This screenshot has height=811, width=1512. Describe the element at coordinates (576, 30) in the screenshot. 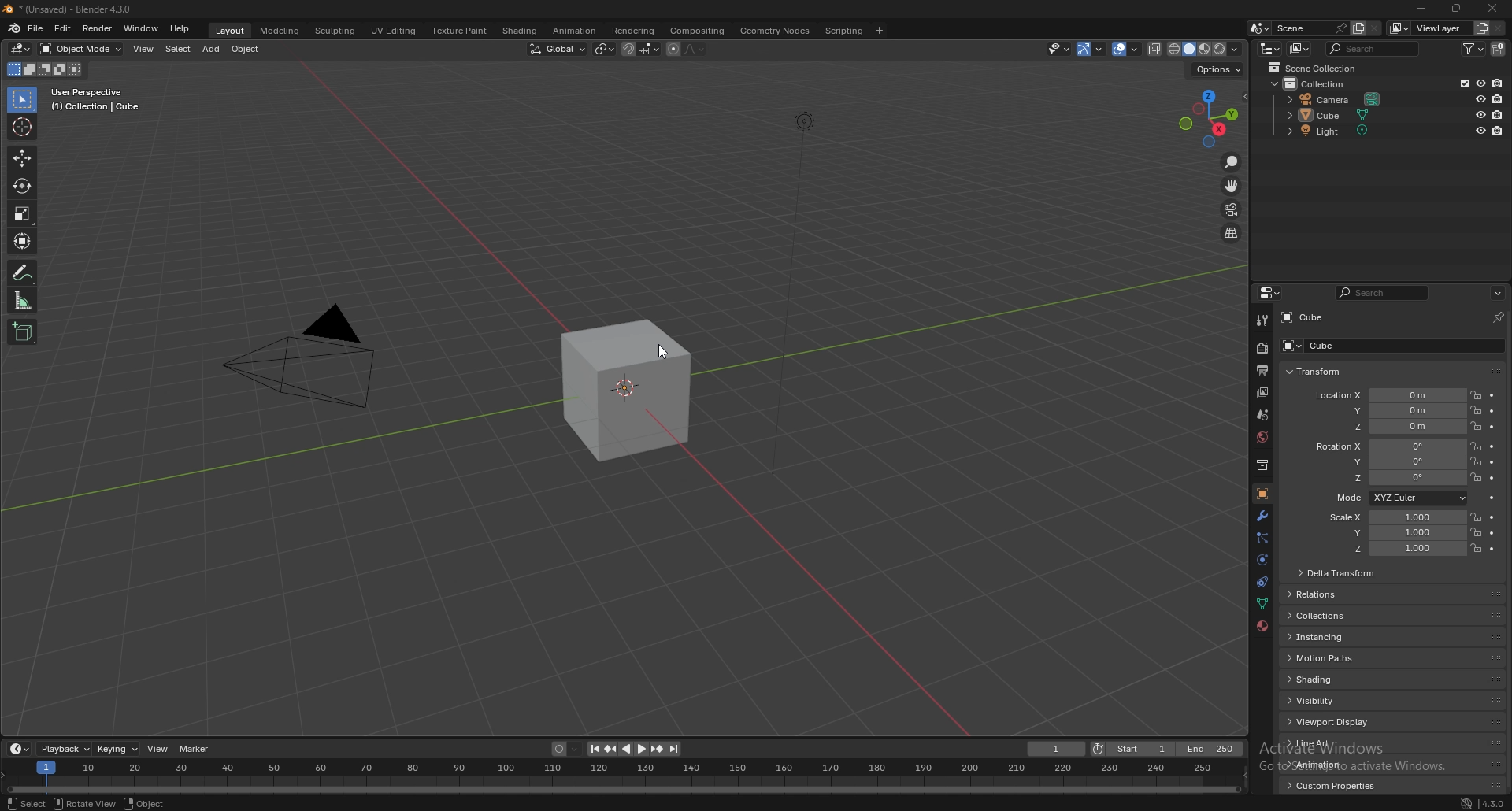

I see `animation` at that location.